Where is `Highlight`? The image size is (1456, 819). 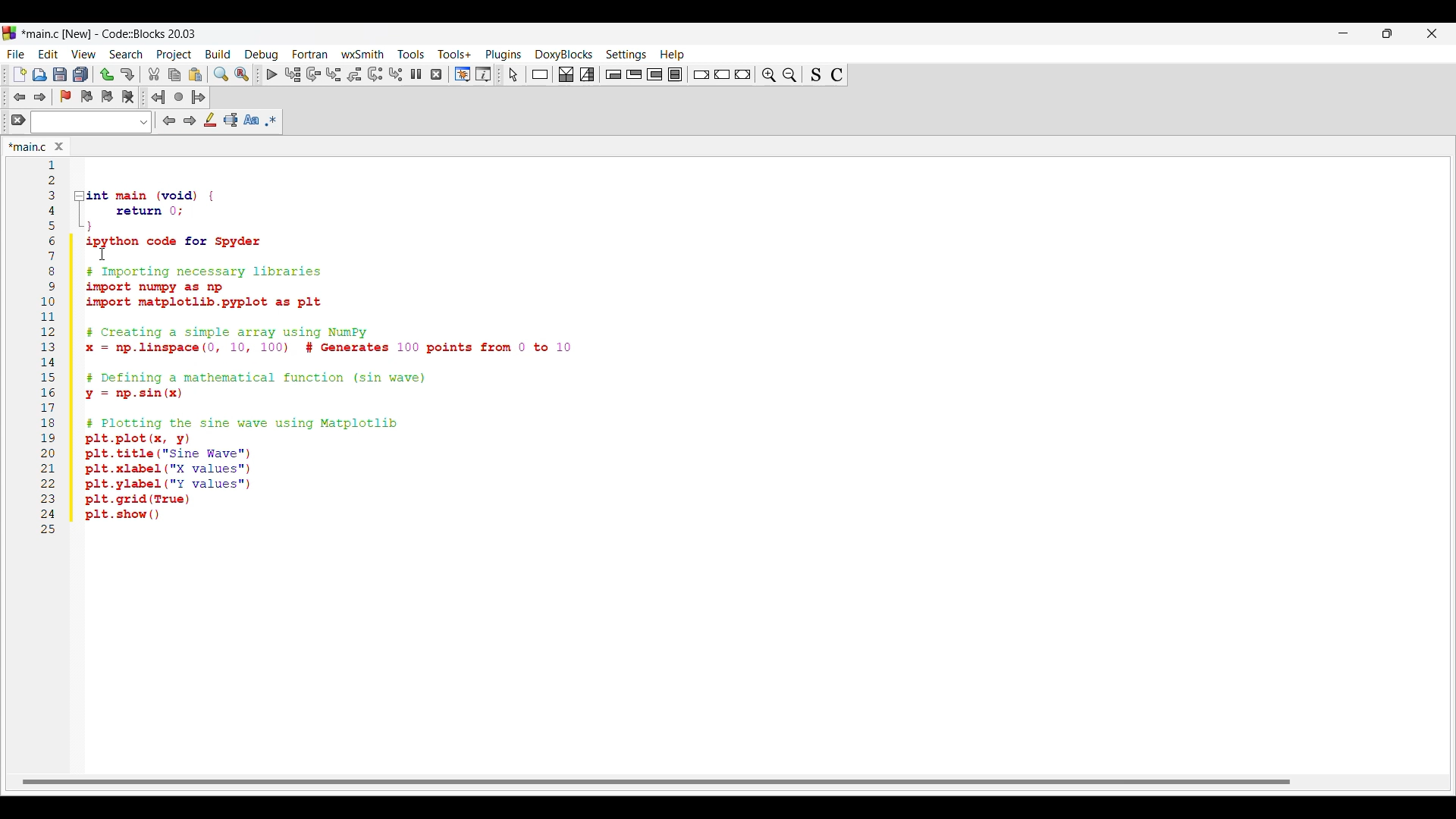
Highlight is located at coordinates (210, 119).